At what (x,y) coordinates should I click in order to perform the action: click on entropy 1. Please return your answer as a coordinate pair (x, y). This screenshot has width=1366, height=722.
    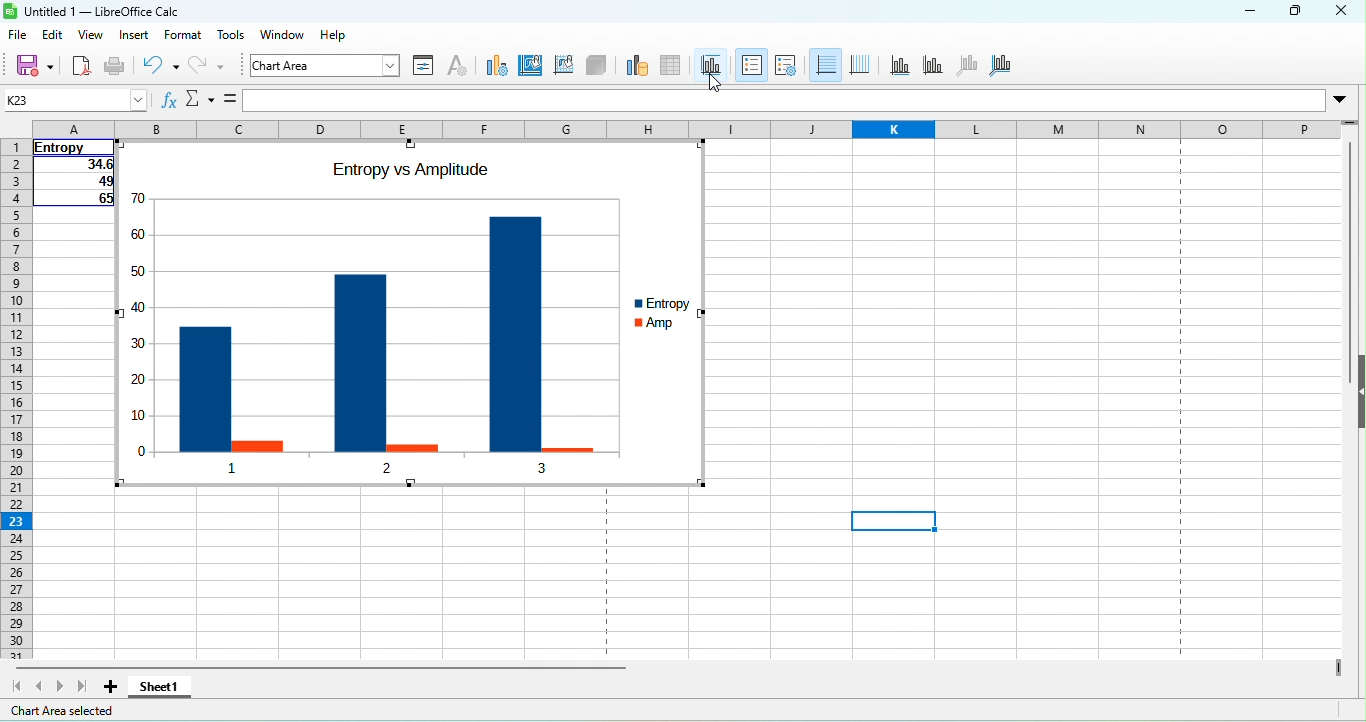
    Looking at the image, I should click on (204, 378).